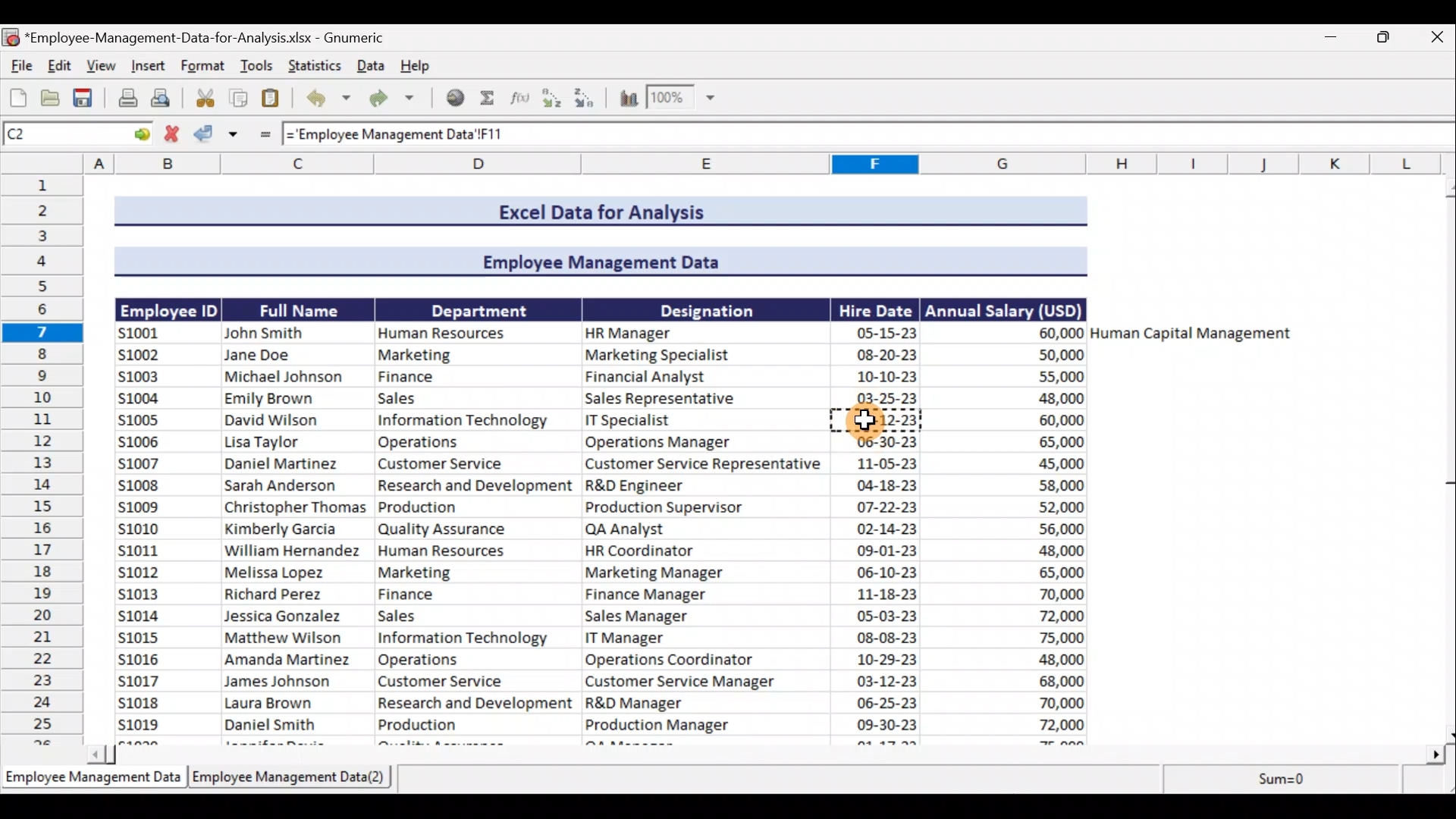 This screenshot has width=1456, height=819. I want to click on Format, so click(203, 68).